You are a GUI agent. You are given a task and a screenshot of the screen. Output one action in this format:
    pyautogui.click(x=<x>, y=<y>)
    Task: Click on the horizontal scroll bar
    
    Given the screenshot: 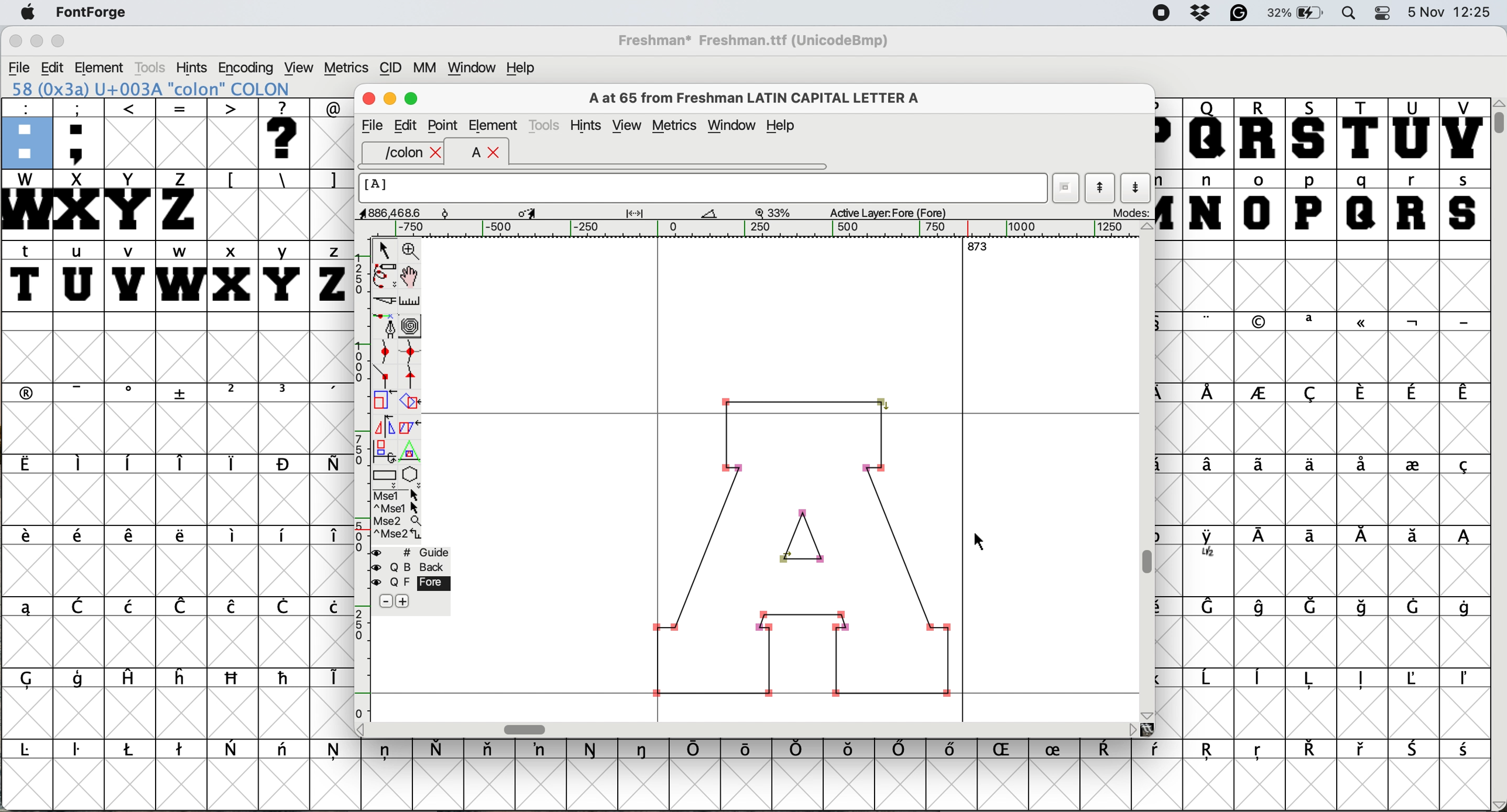 What is the action you would take?
    pyautogui.click(x=755, y=729)
    